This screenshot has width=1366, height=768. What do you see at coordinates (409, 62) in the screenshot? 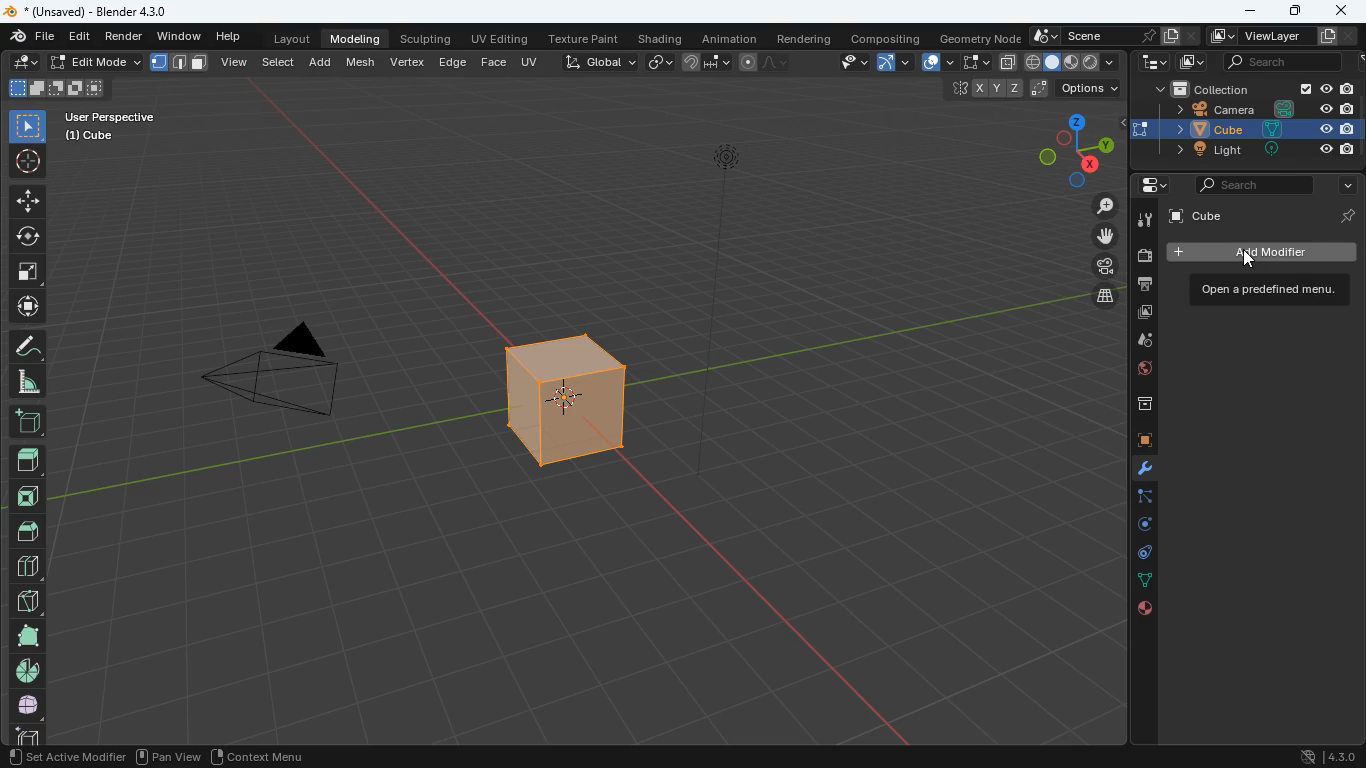
I see `vertex` at bounding box center [409, 62].